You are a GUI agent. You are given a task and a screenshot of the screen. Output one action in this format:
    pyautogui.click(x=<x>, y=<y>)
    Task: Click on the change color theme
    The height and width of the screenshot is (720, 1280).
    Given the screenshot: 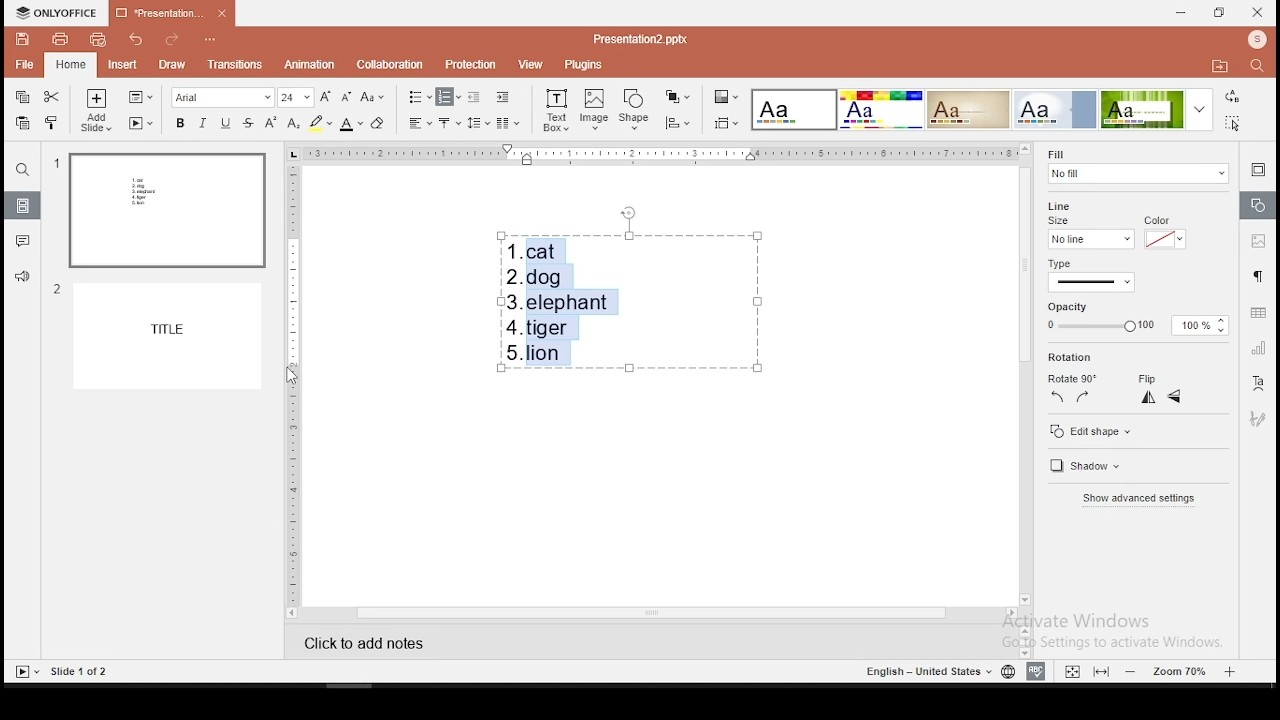 What is the action you would take?
    pyautogui.click(x=724, y=96)
    